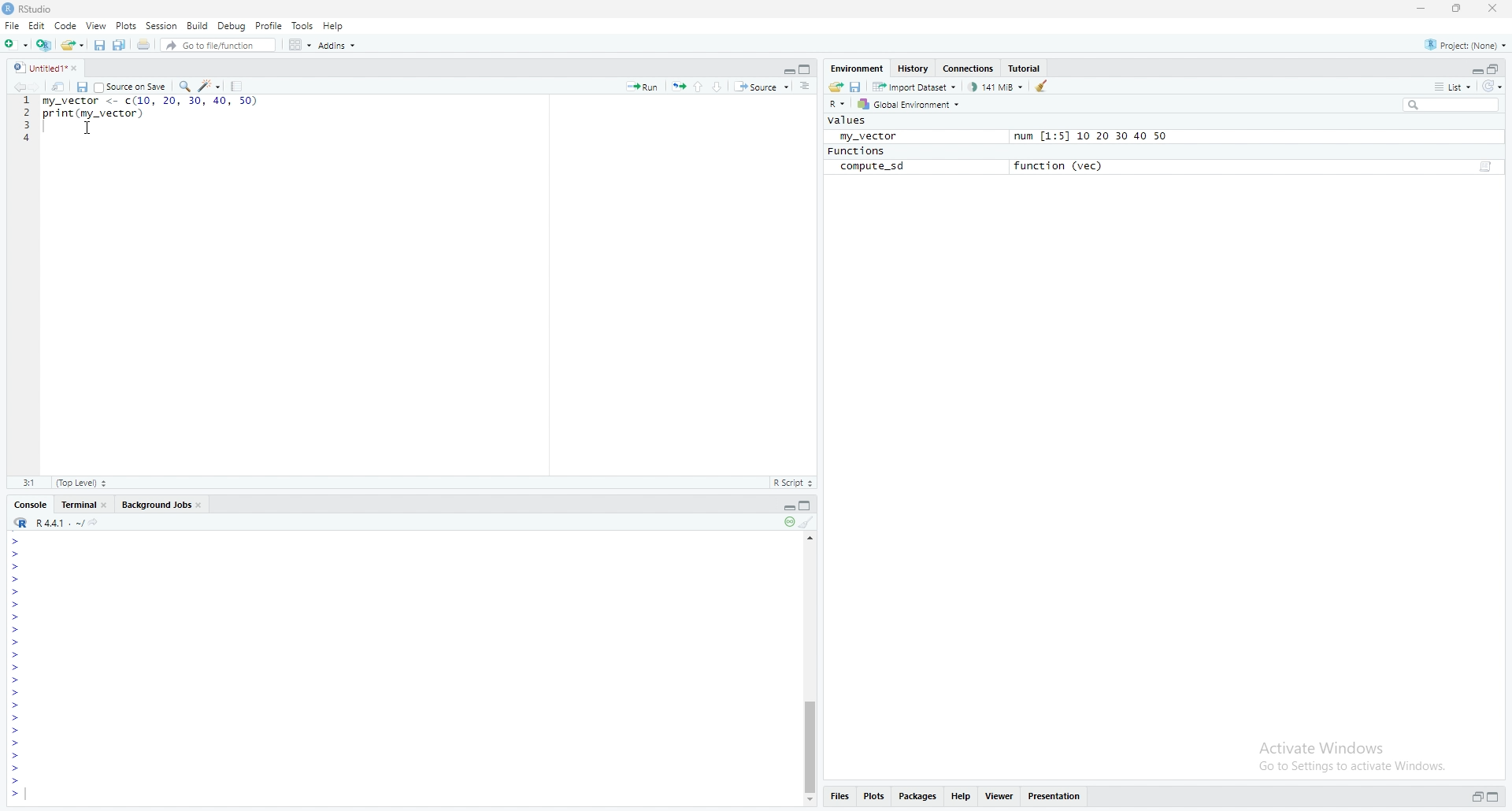 The height and width of the screenshot is (811, 1512). I want to click on Edit, so click(39, 27).